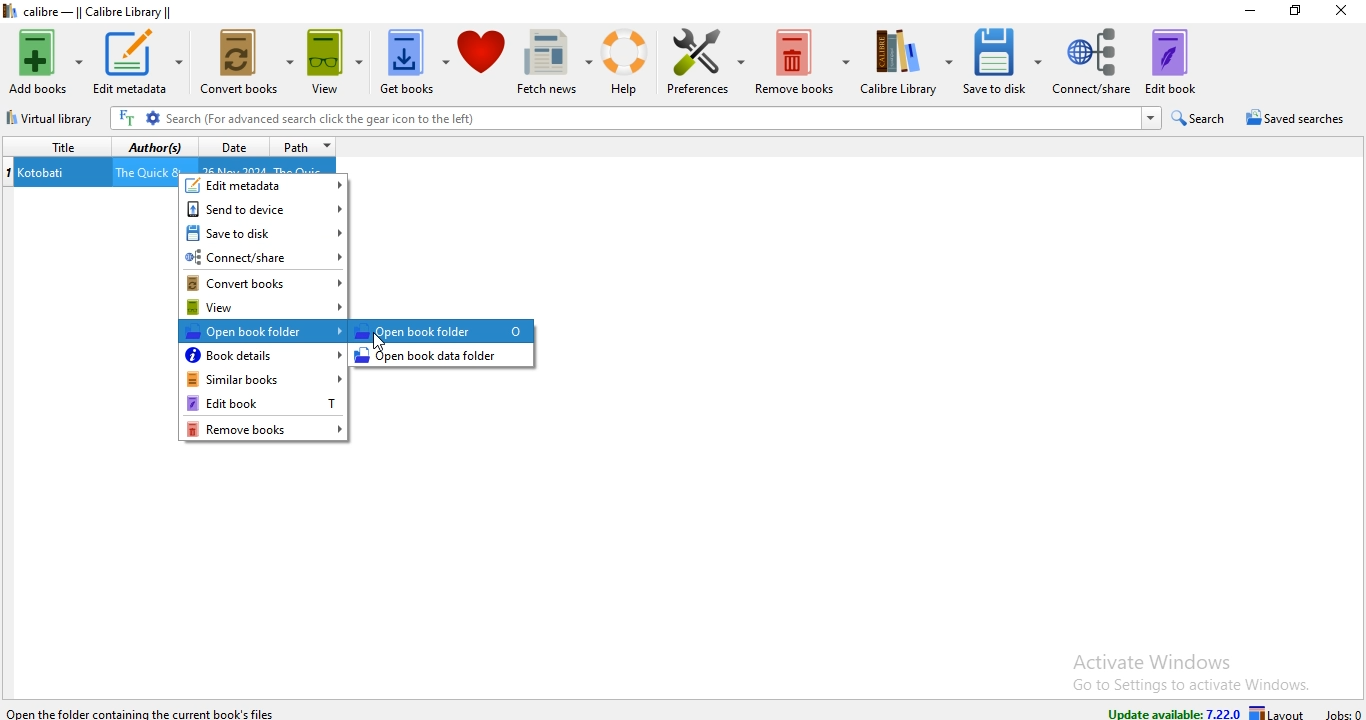 Image resolution: width=1366 pixels, height=720 pixels. Describe the element at coordinates (1199, 116) in the screenshot. I see `search` at that location.